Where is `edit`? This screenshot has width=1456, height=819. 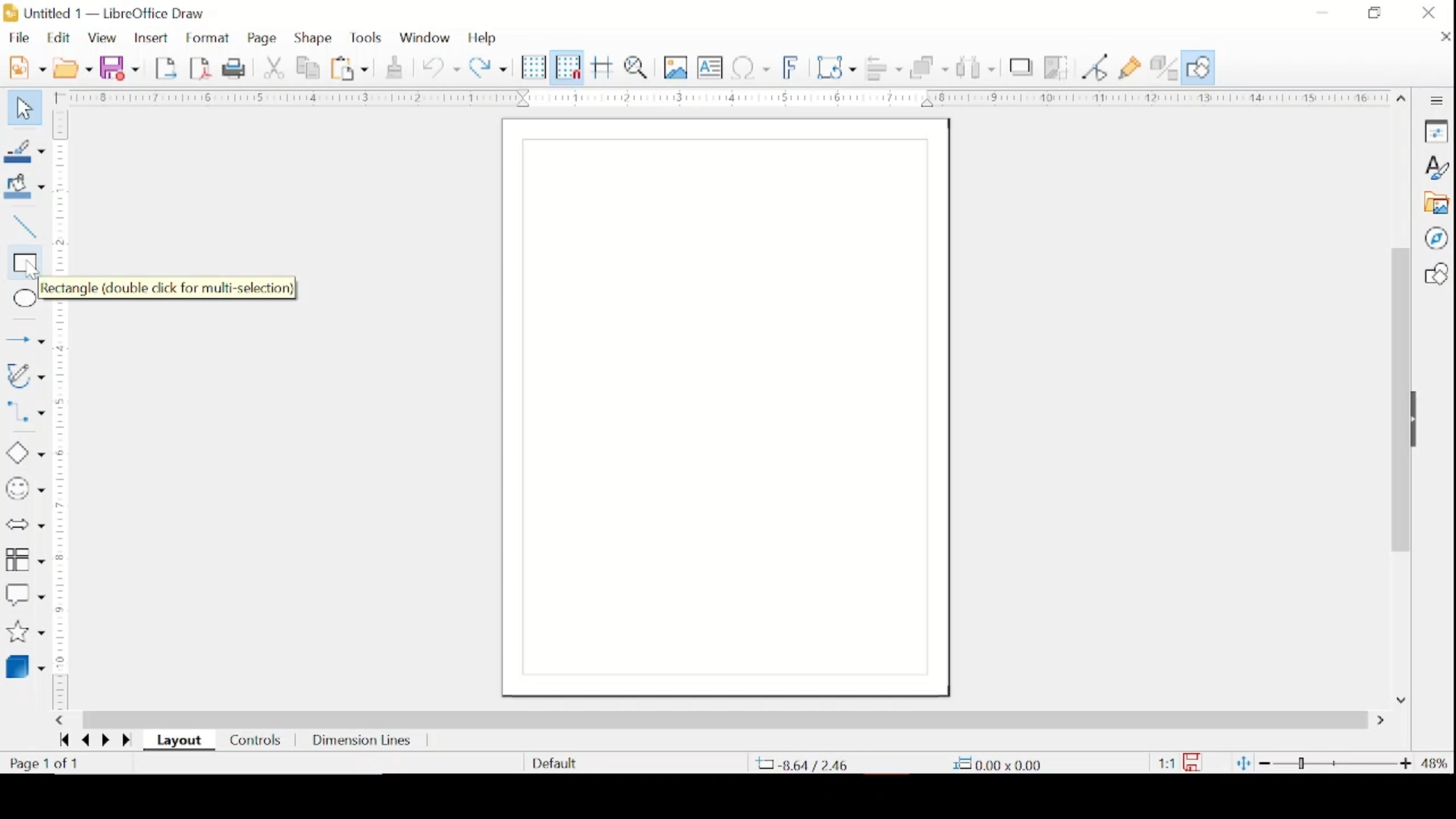 edit is located at coordinates (61, 37).